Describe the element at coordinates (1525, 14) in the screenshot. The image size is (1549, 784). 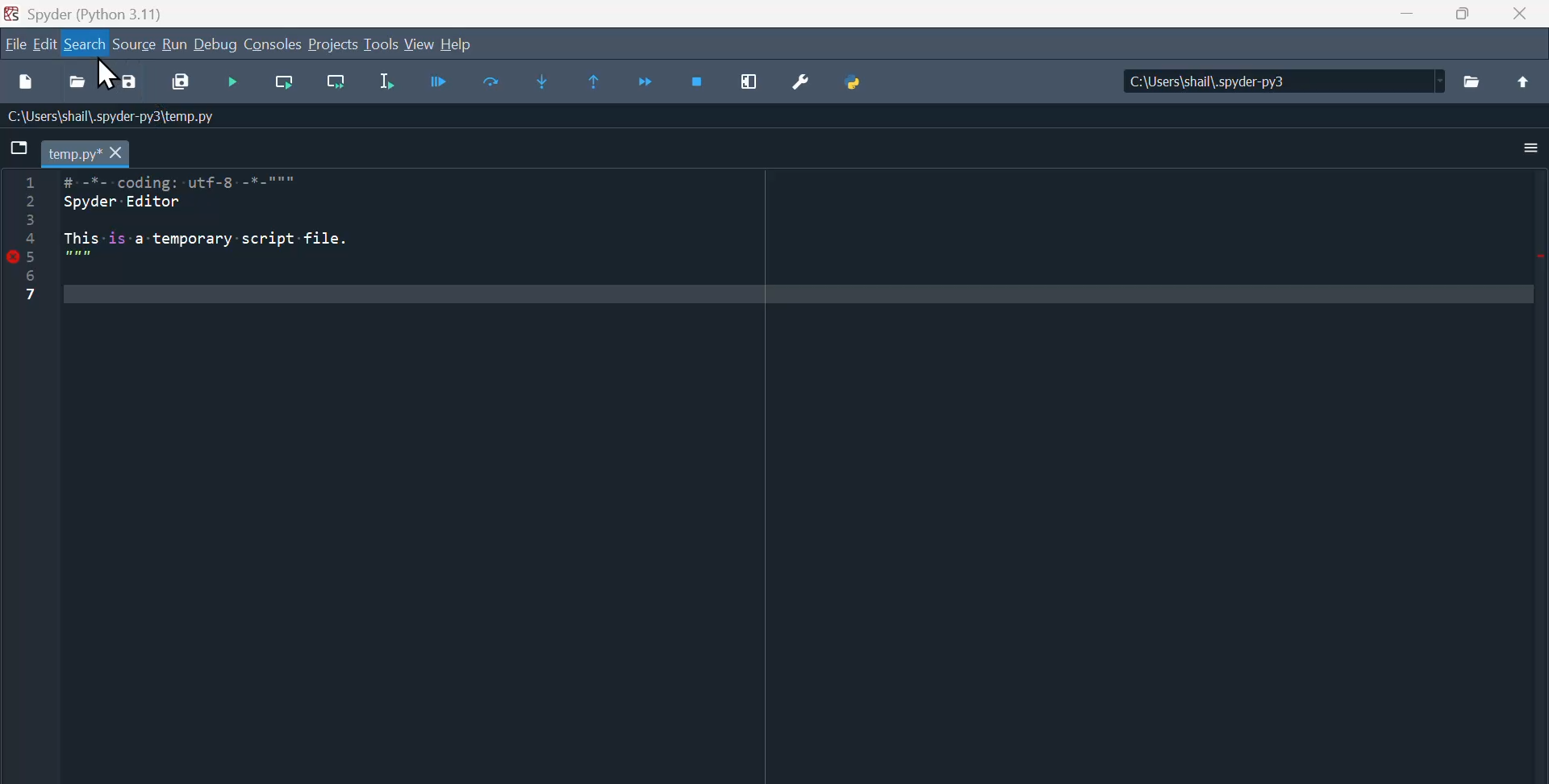
I see `close` at that location.